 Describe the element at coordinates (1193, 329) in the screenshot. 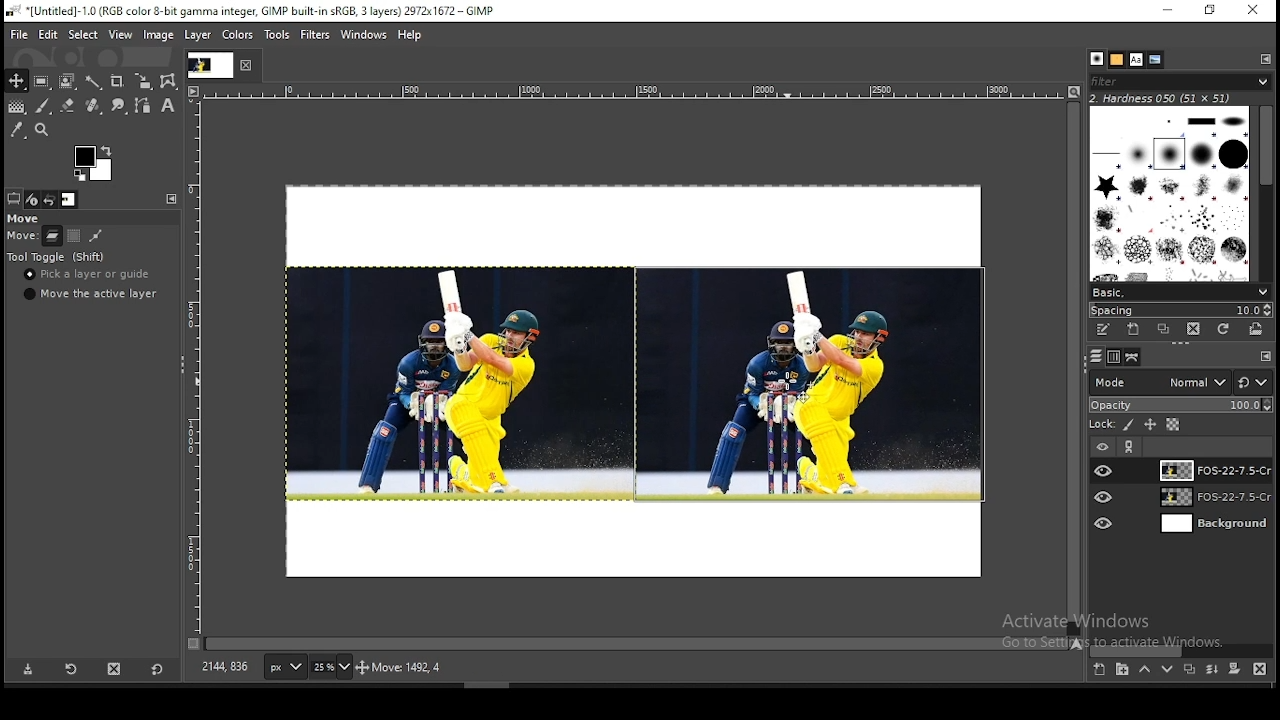

I see `delete brush` at that location.